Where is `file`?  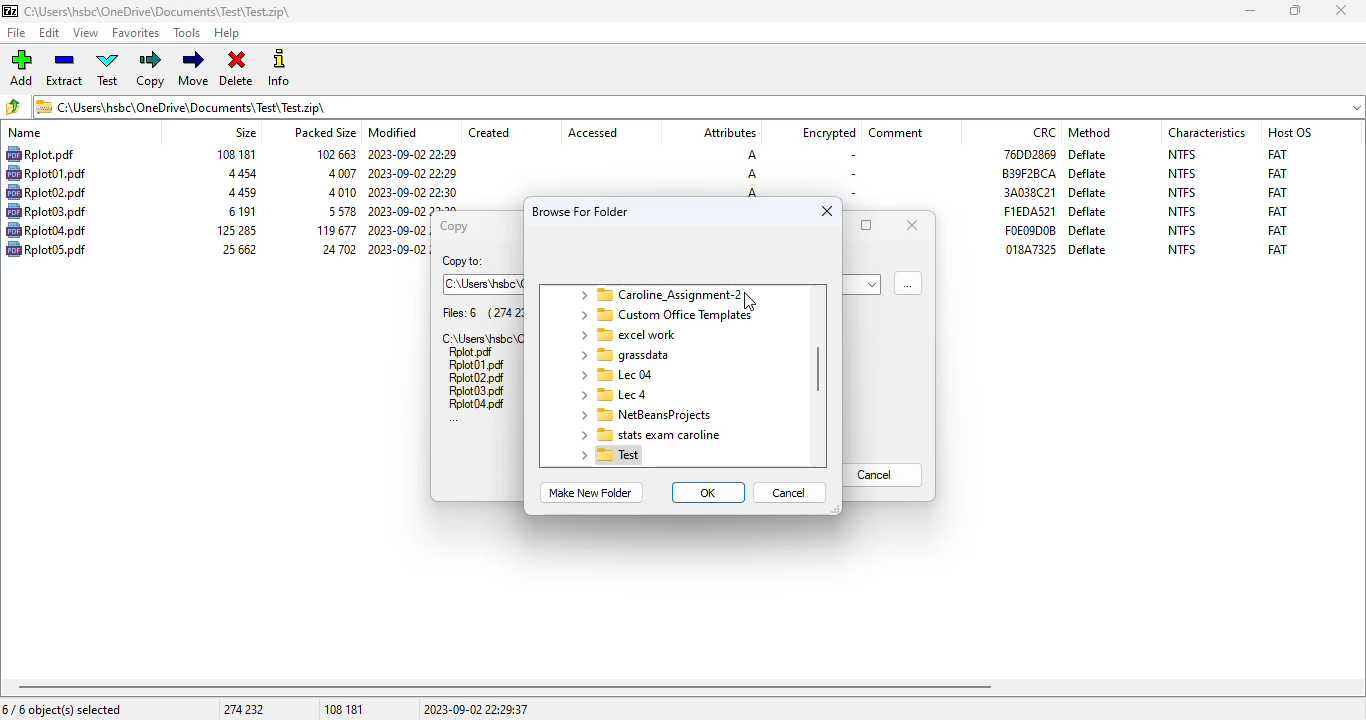 file is located at coordinates (46, 211).